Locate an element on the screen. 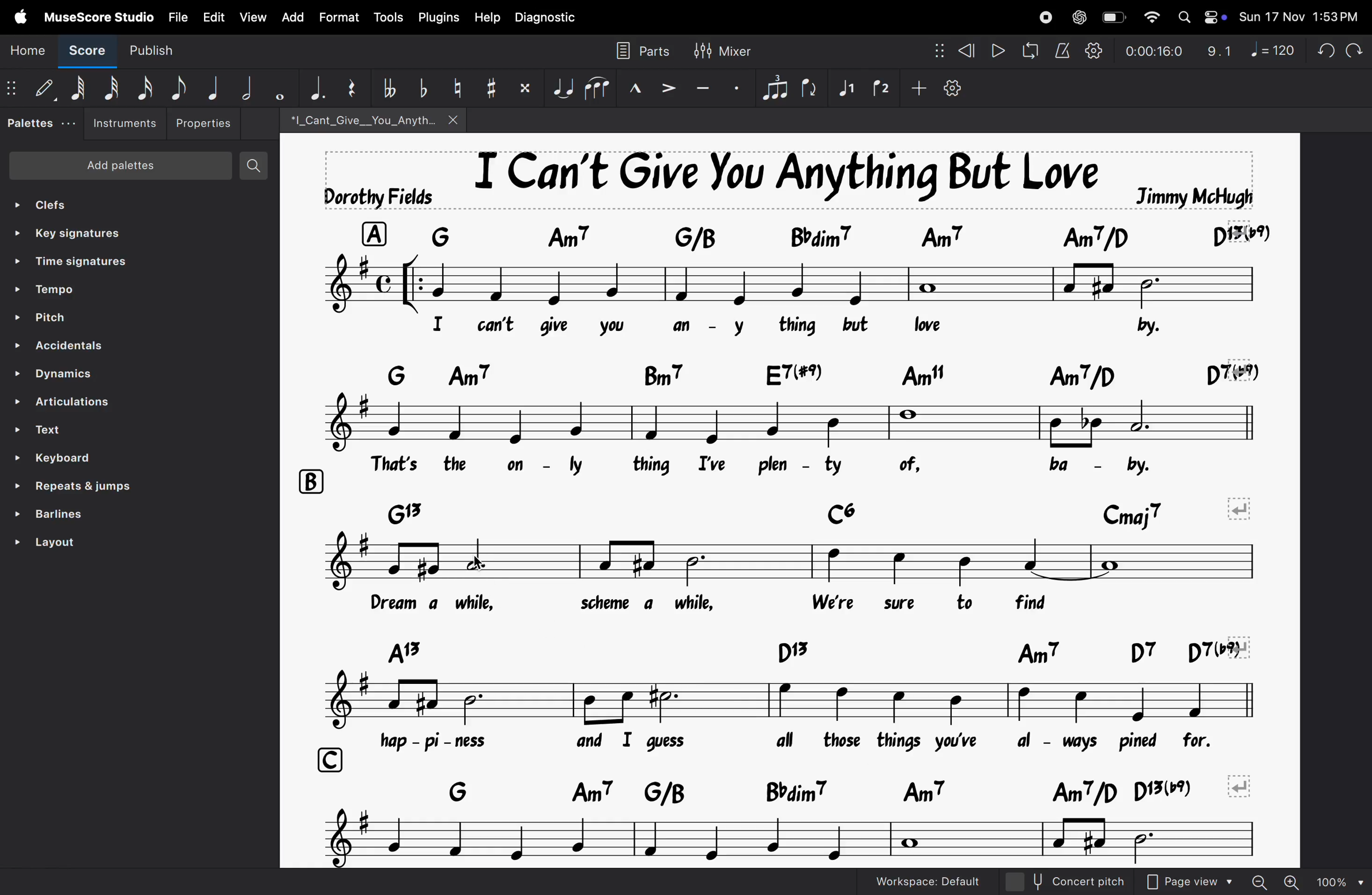  64 note is located at coordinates (77, 90).